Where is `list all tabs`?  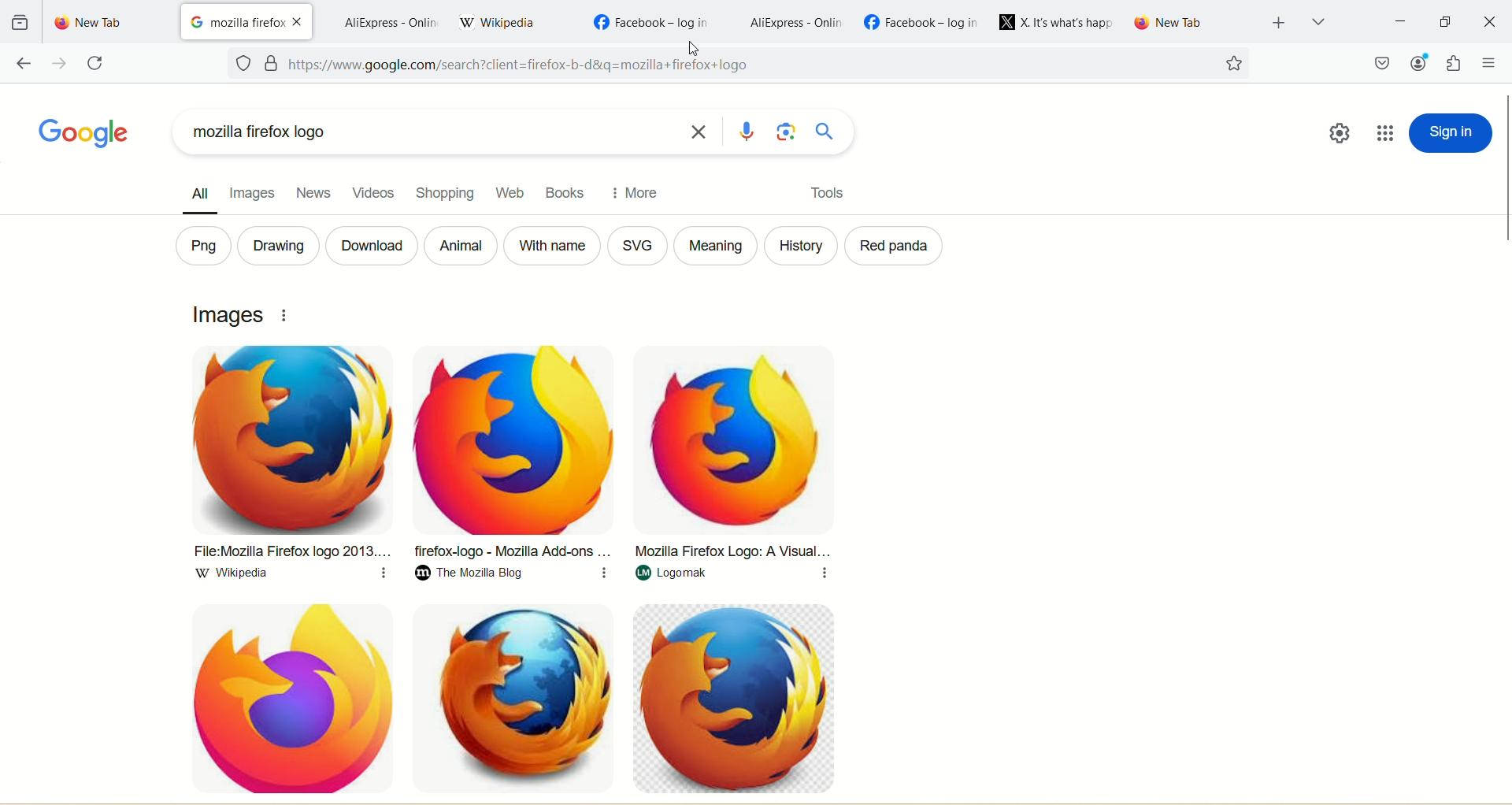
list all tabs is located at coordinates (1315, 21).